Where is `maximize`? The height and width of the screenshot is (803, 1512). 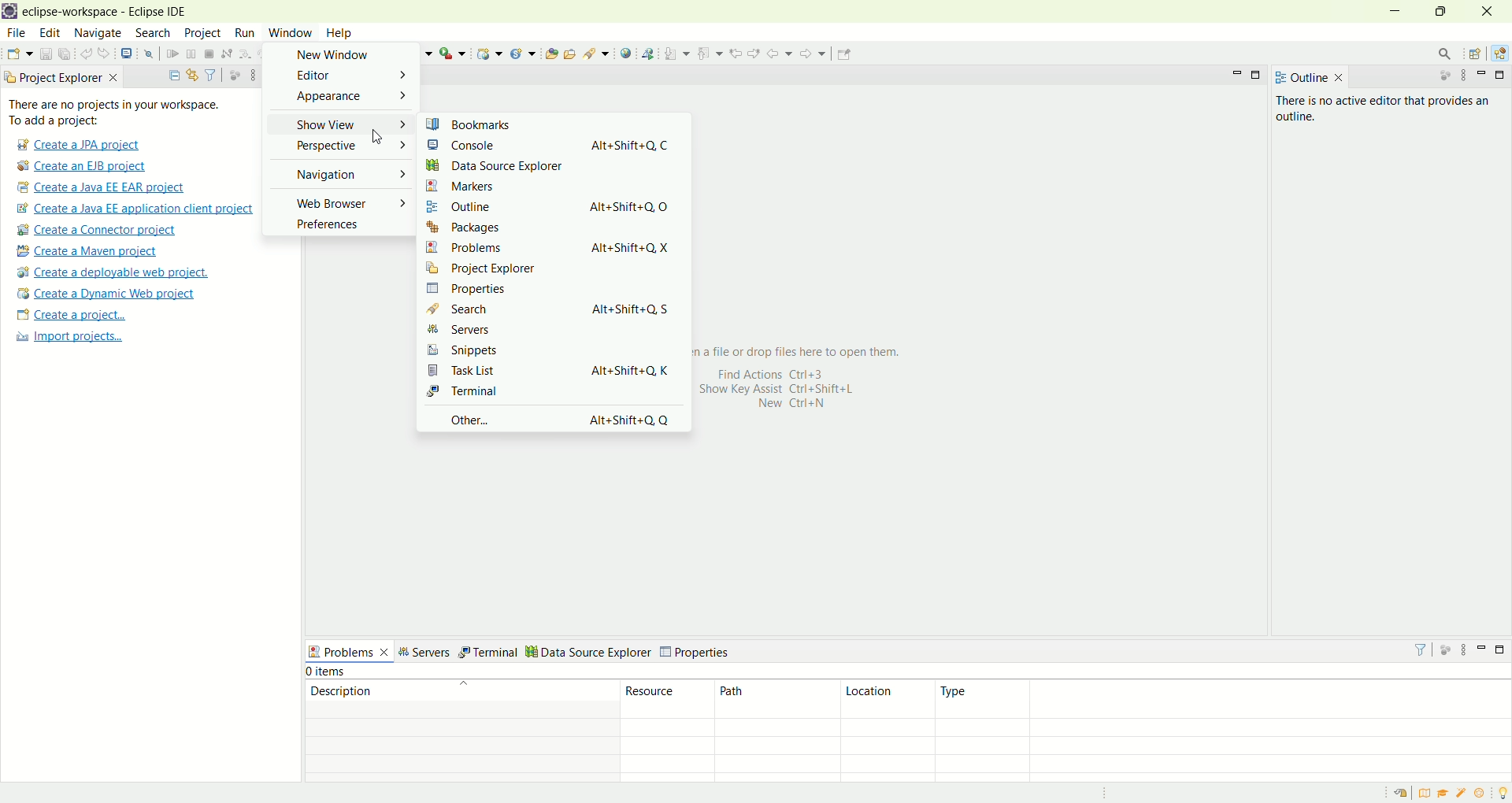 maximize is located at coordinates (1501, 76).